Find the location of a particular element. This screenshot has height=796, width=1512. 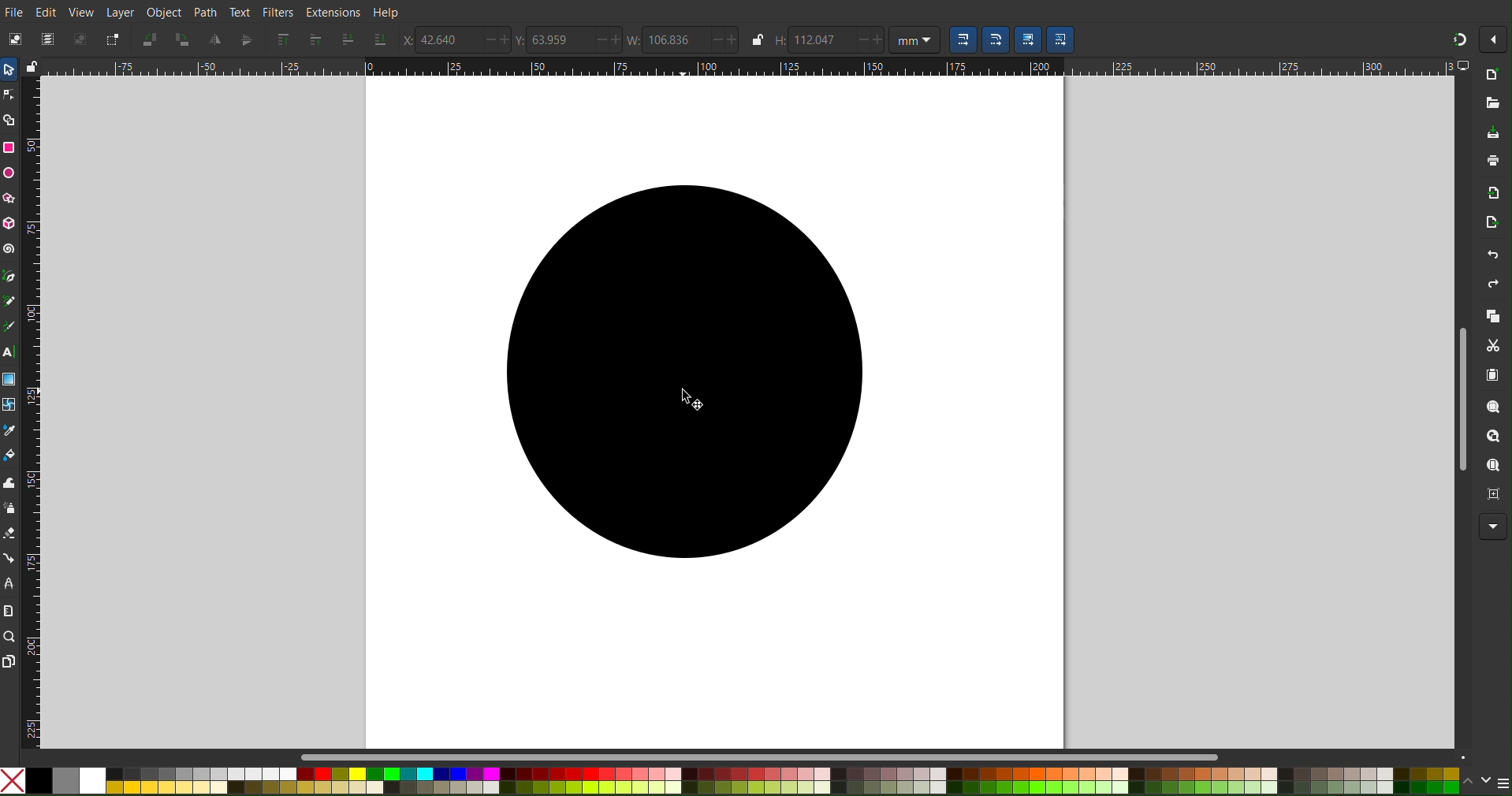

scroll color options is located at coordinates (1477, 782).